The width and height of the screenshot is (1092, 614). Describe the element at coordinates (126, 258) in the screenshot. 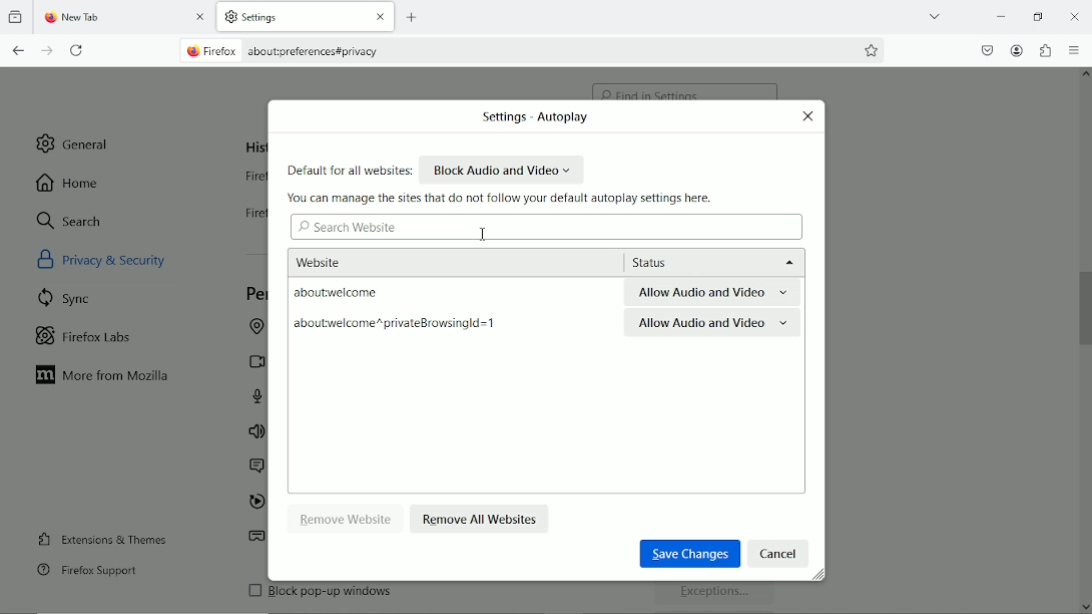

I see `privacy & security` at that location.